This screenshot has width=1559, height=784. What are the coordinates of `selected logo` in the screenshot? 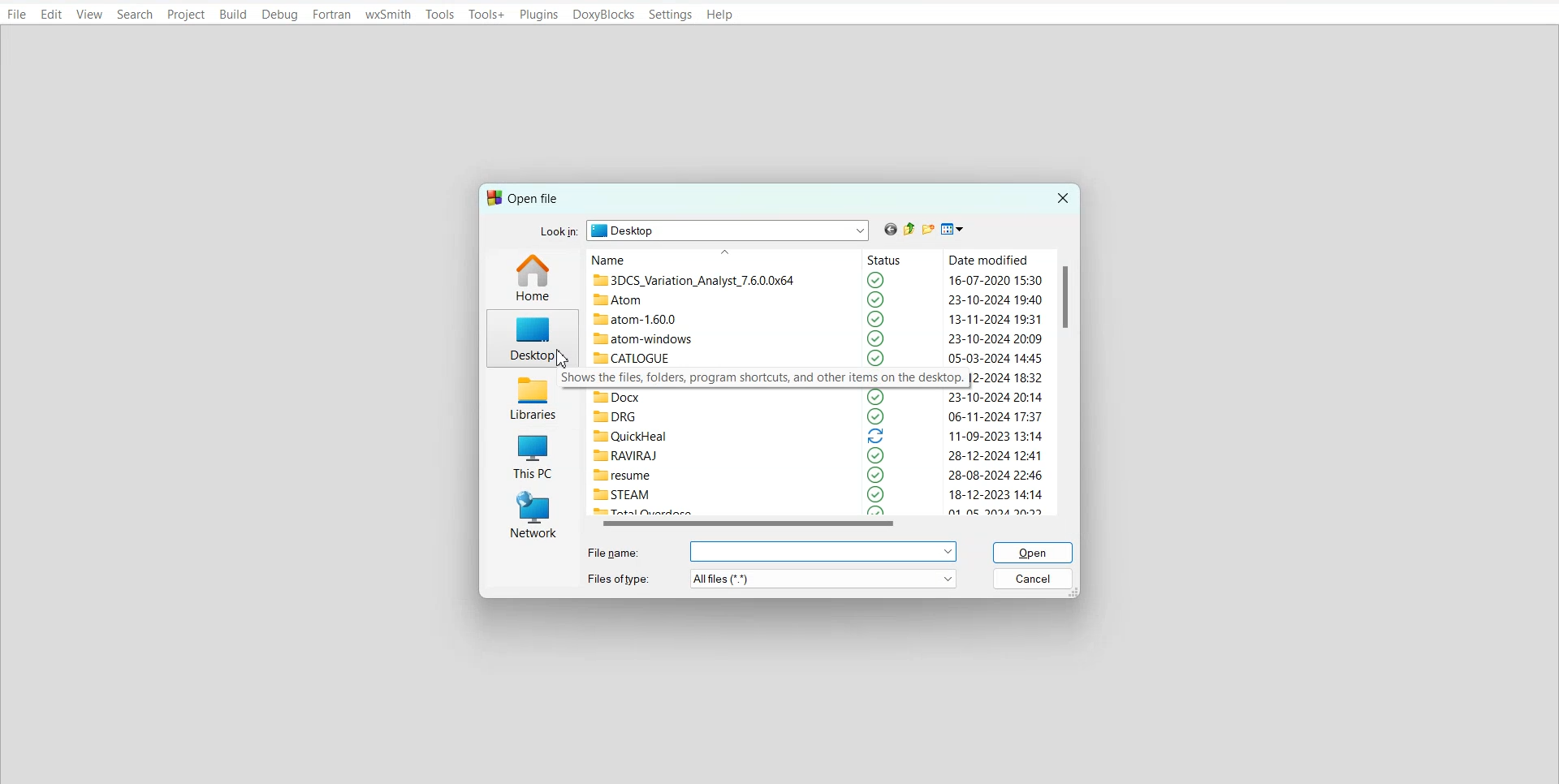 It's located at (875, 319).